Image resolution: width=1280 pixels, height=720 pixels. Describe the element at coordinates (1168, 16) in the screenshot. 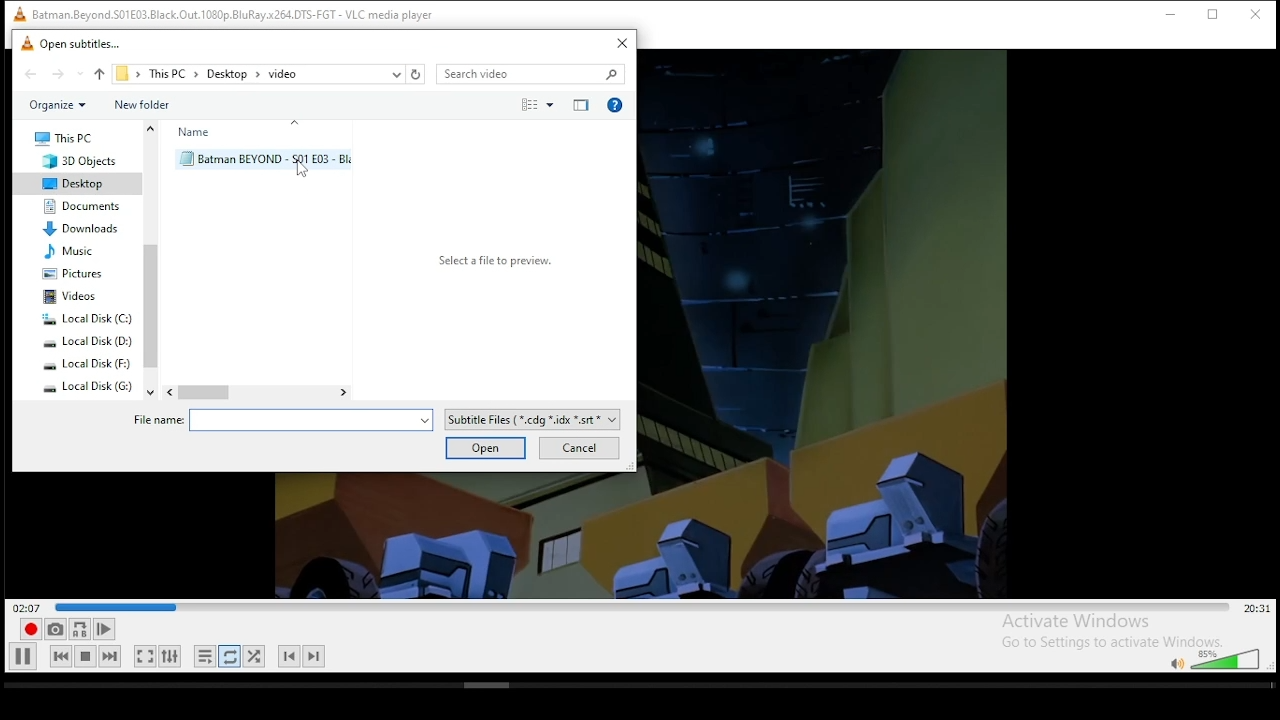

I see `minimize` at that location.